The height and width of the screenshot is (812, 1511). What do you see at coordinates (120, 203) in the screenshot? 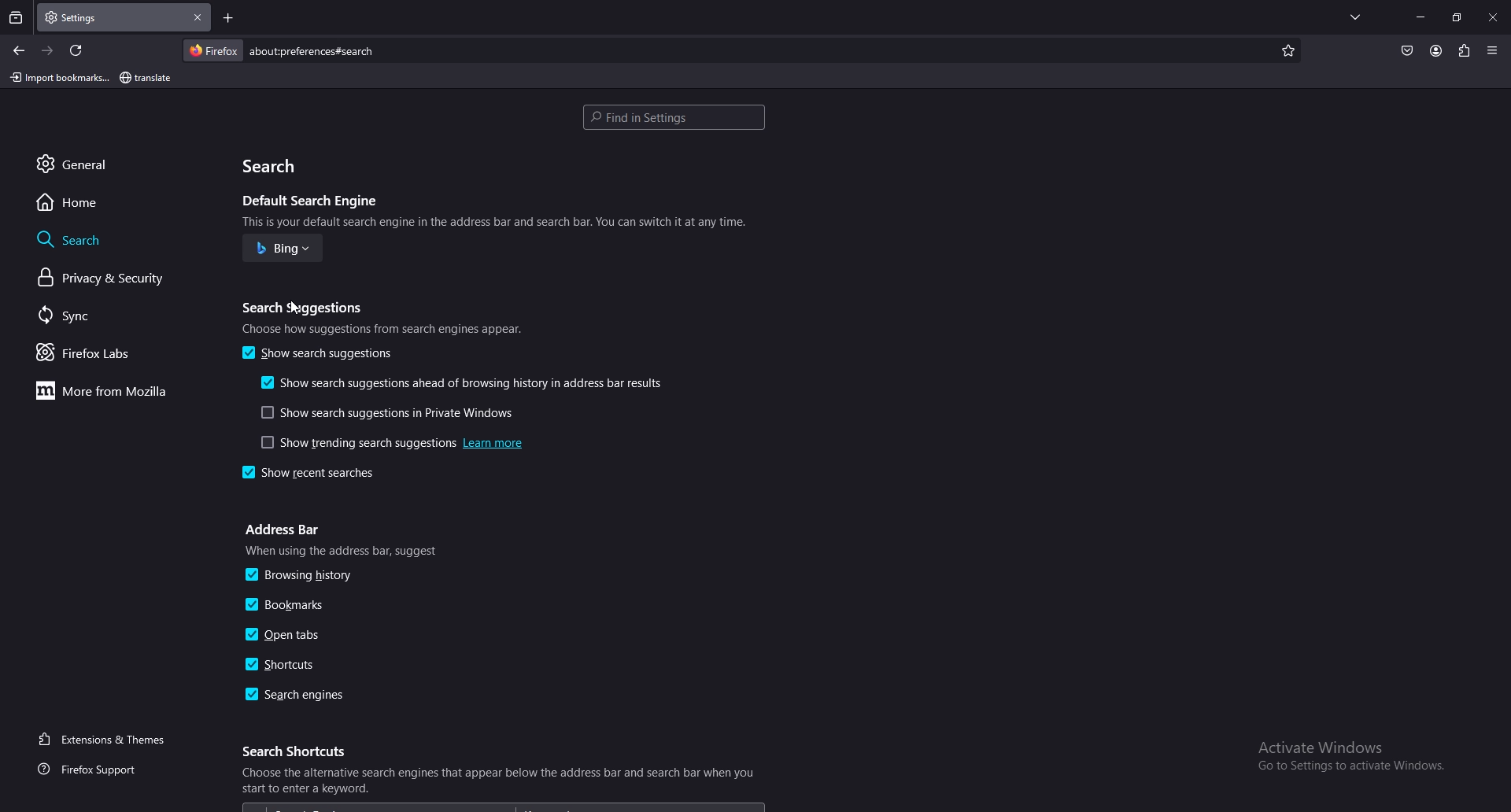
I see `home` at bounding box center [120, 203].